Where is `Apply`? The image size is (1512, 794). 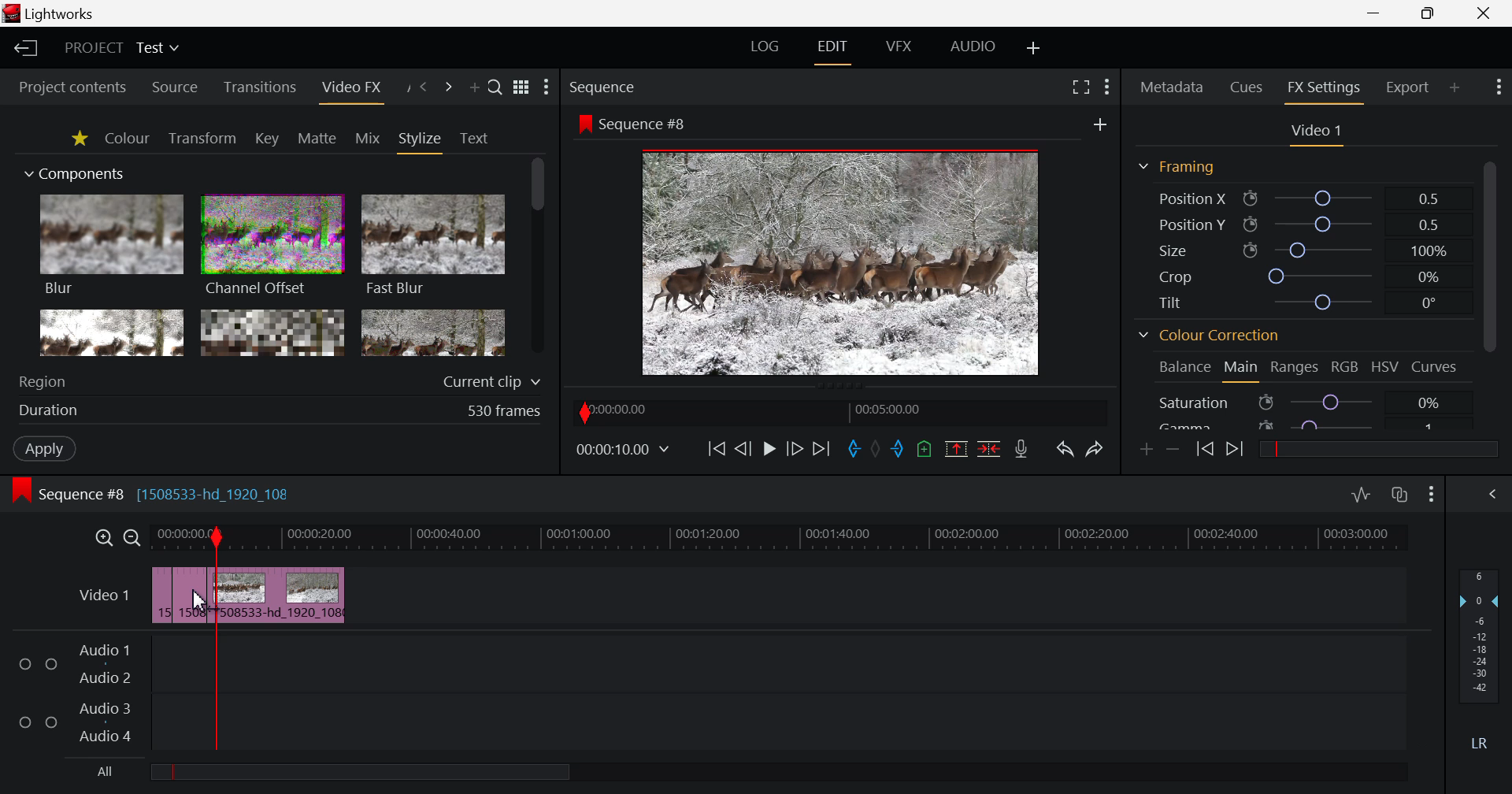
Apply is located at coordinates (44, 448).